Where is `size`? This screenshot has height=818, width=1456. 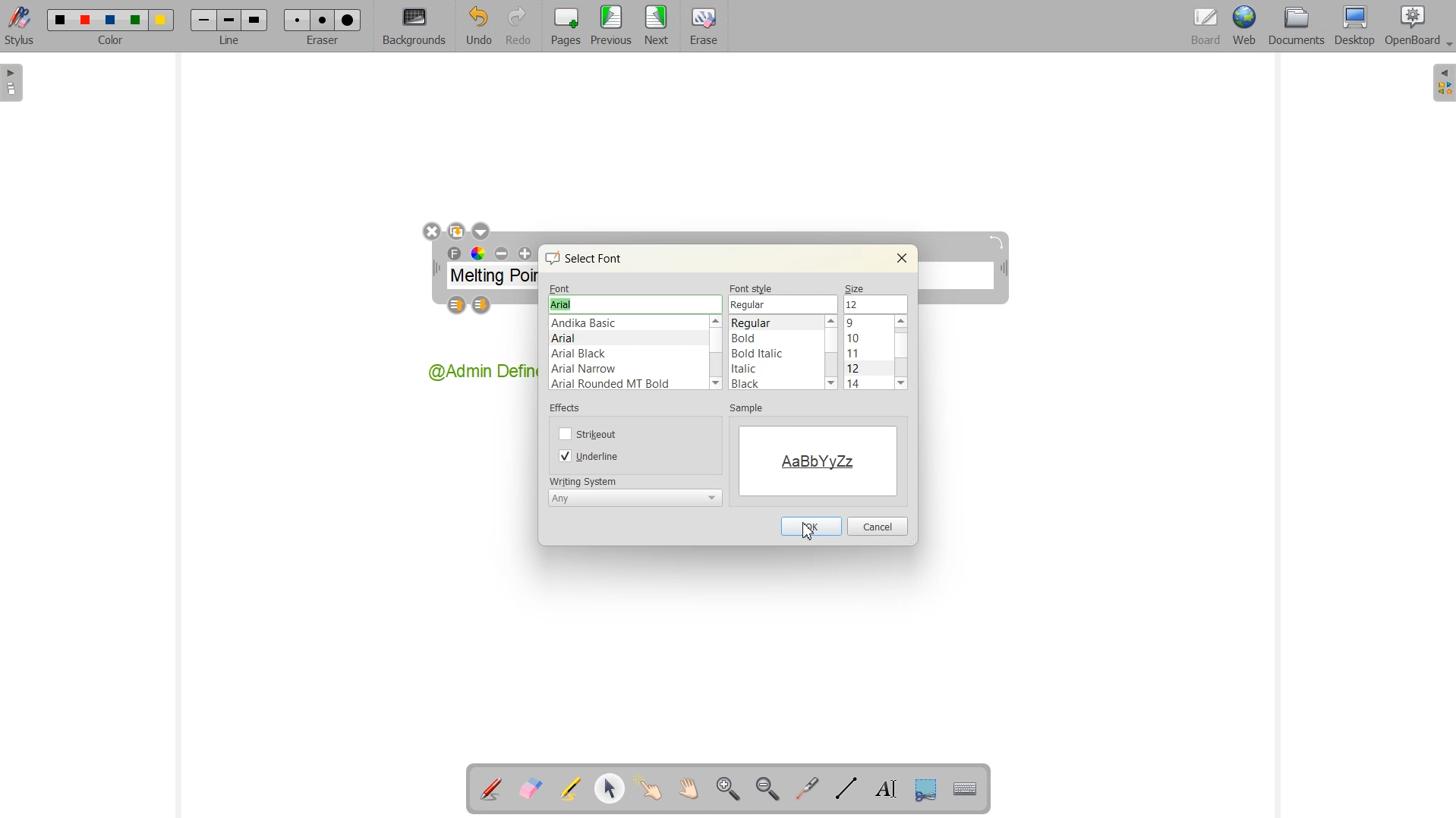 size is located at coordinates (857, 287).